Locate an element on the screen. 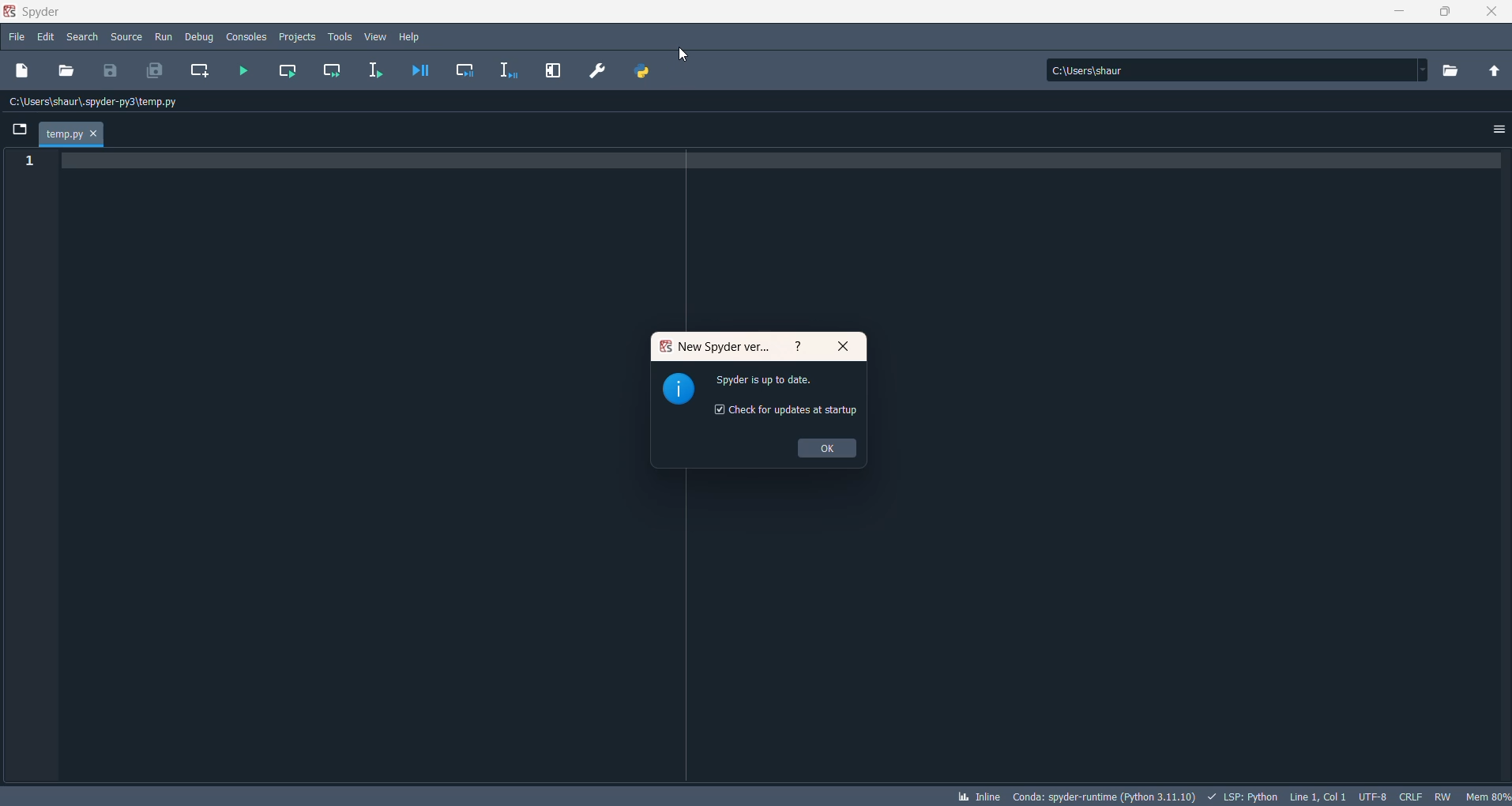 This screenshot has width=1512, height=806. code writing pad is located at coordinates (786, 239).